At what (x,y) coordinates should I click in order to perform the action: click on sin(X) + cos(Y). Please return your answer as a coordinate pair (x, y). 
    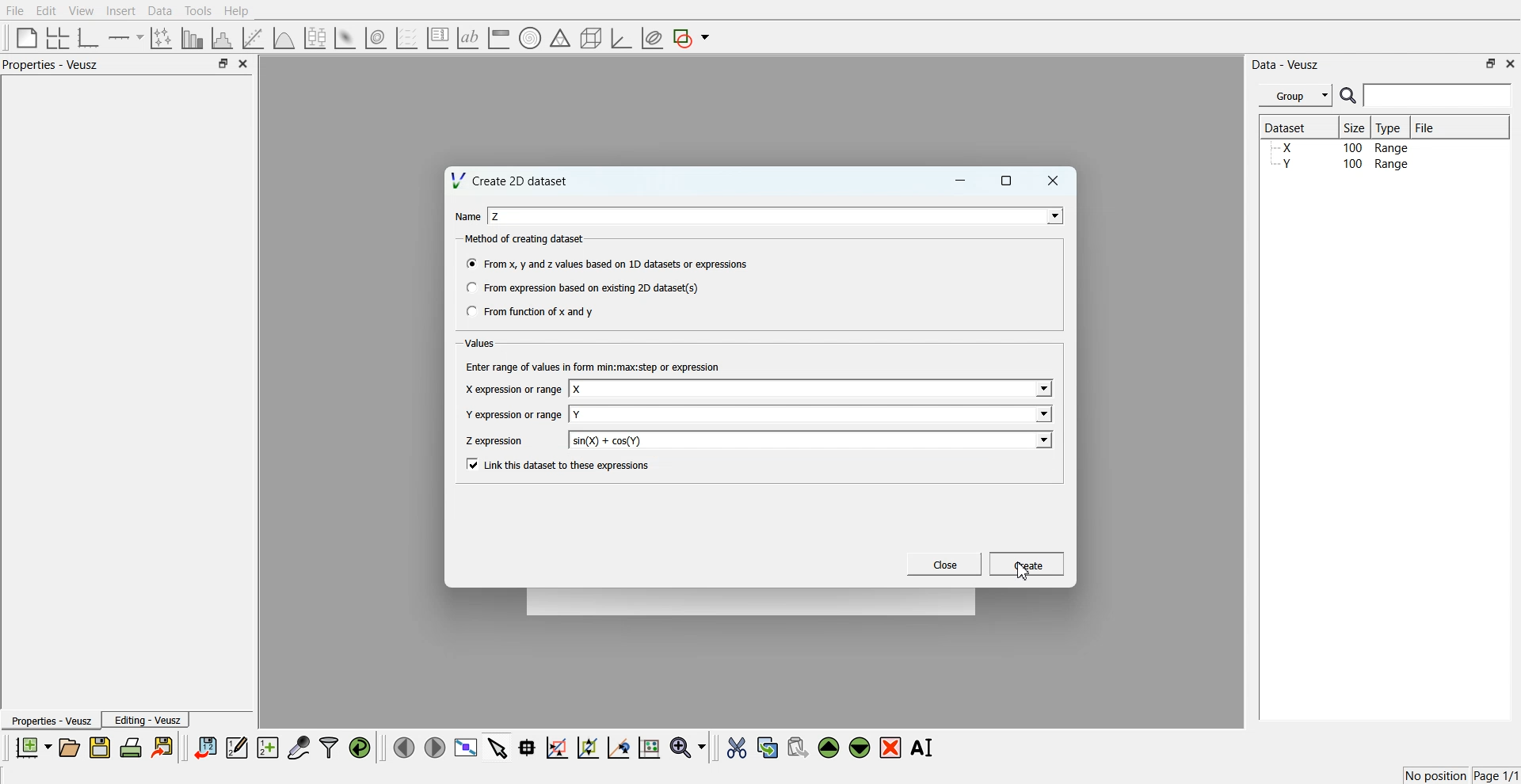
    Looking at the image, I should click on (608, 440).